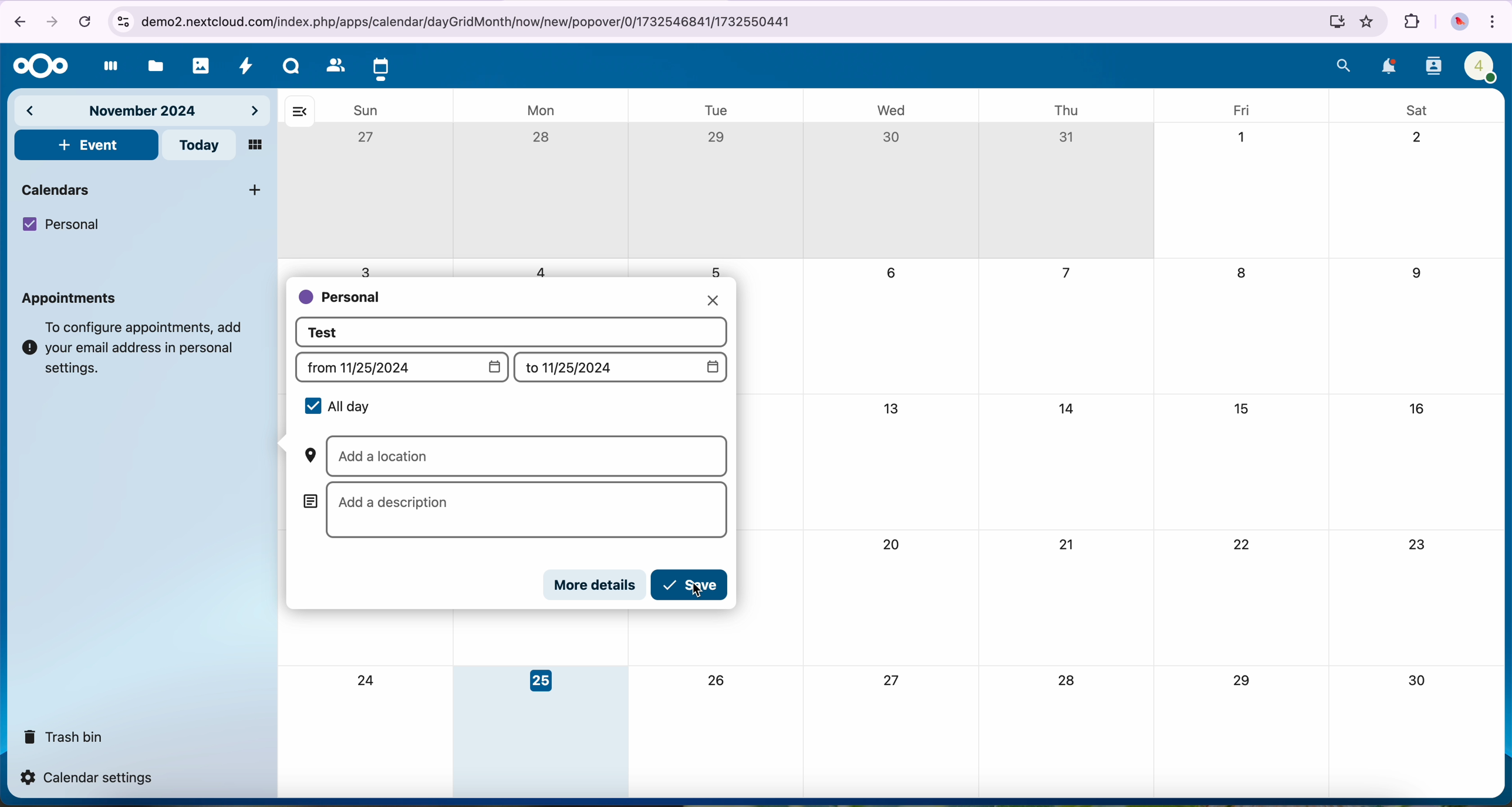  What do you see at coordinates (1432, 67) in the screenshot?
I see `contacts` at bounding box center [1432, 67].